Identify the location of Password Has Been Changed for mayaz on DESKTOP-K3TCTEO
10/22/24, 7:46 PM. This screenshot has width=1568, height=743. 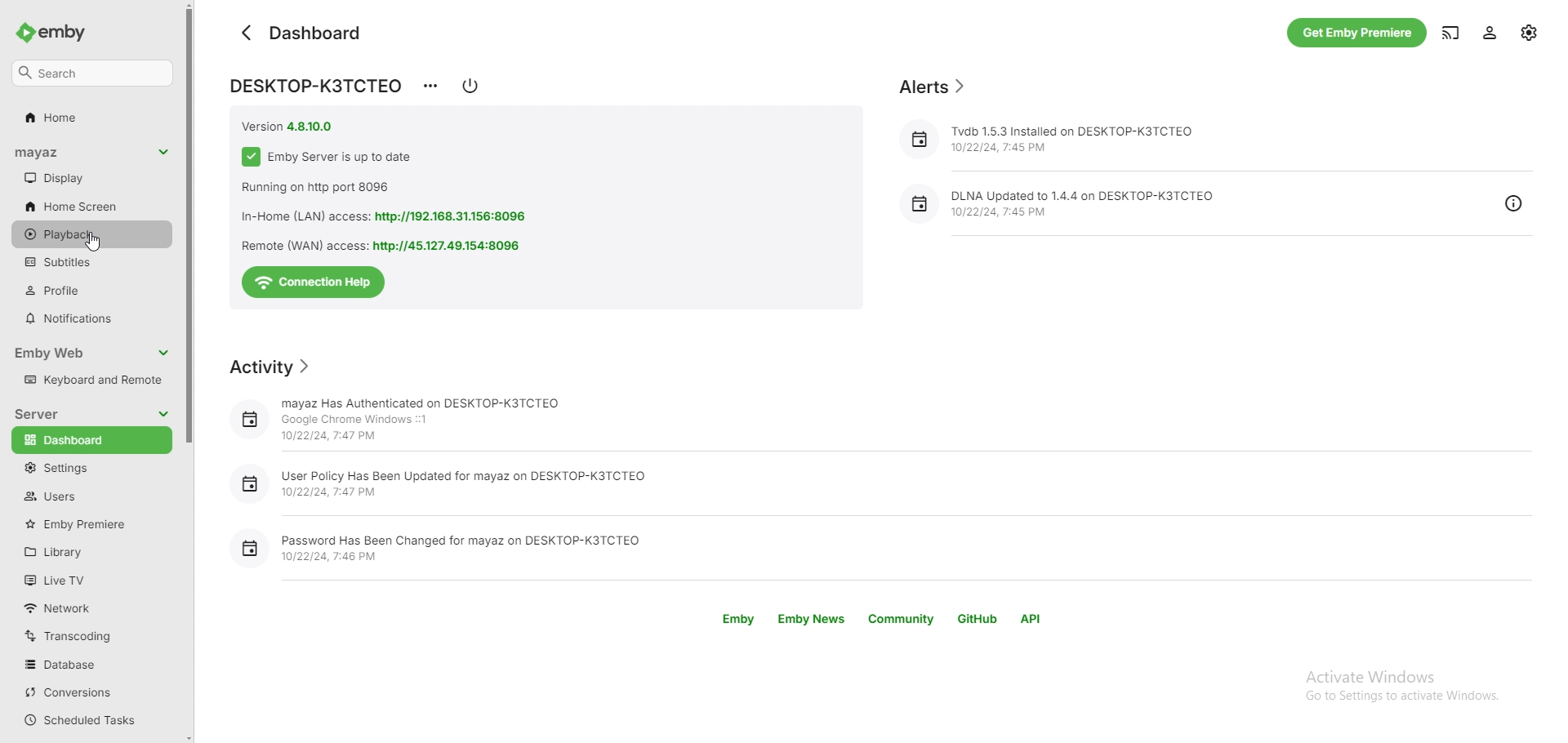
(452, 549).